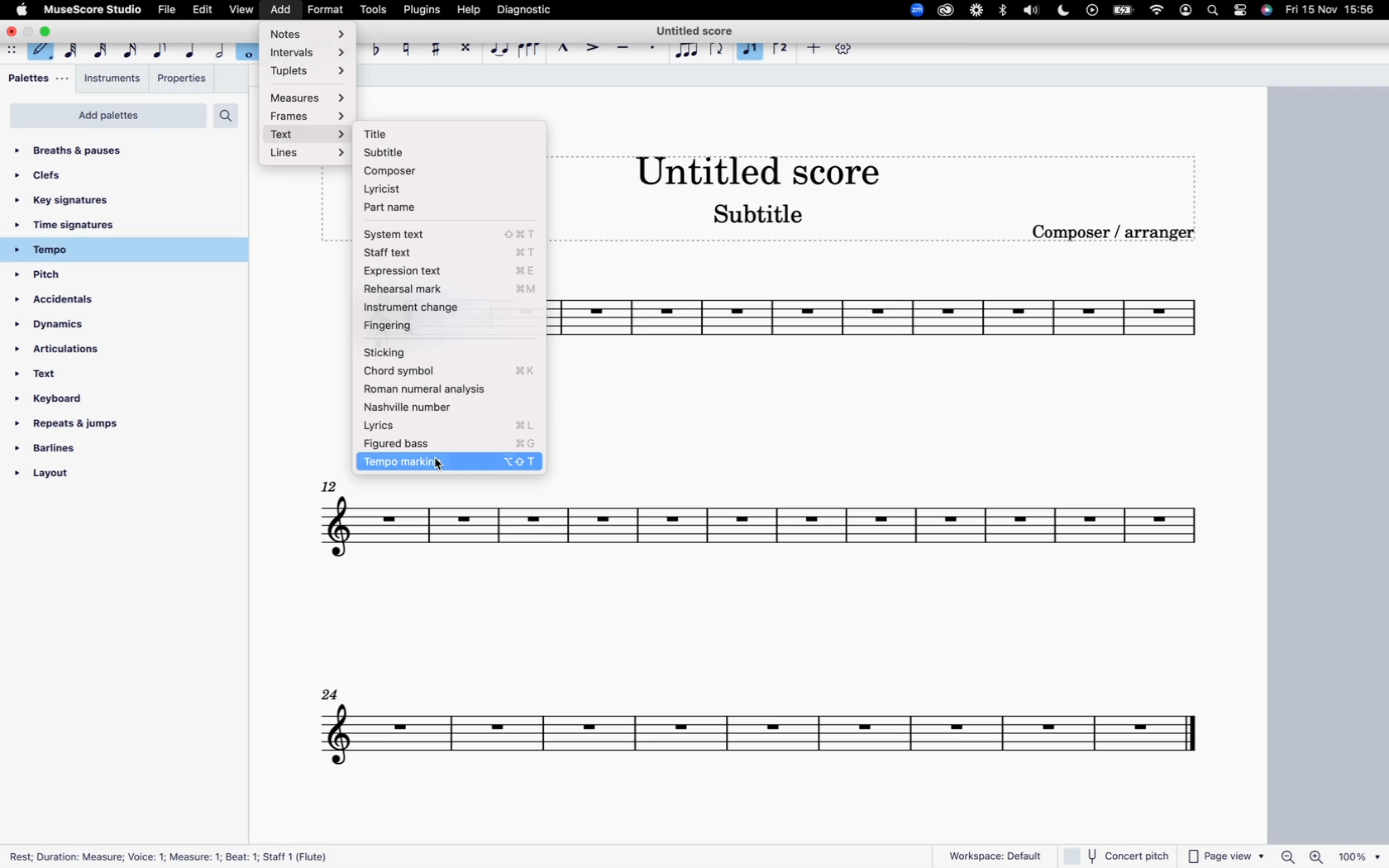 The width and height of the screenshot is (1389, 868). I want to click on cursor, so click(440, 465).